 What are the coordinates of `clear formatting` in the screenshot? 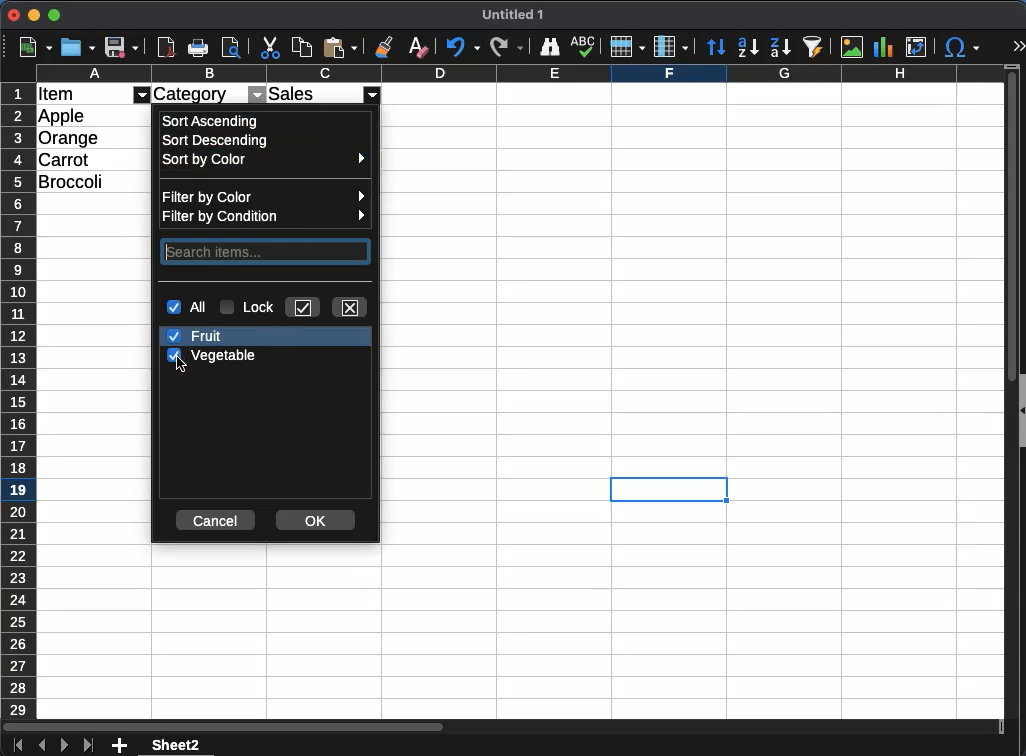 It's located at (415, 47).